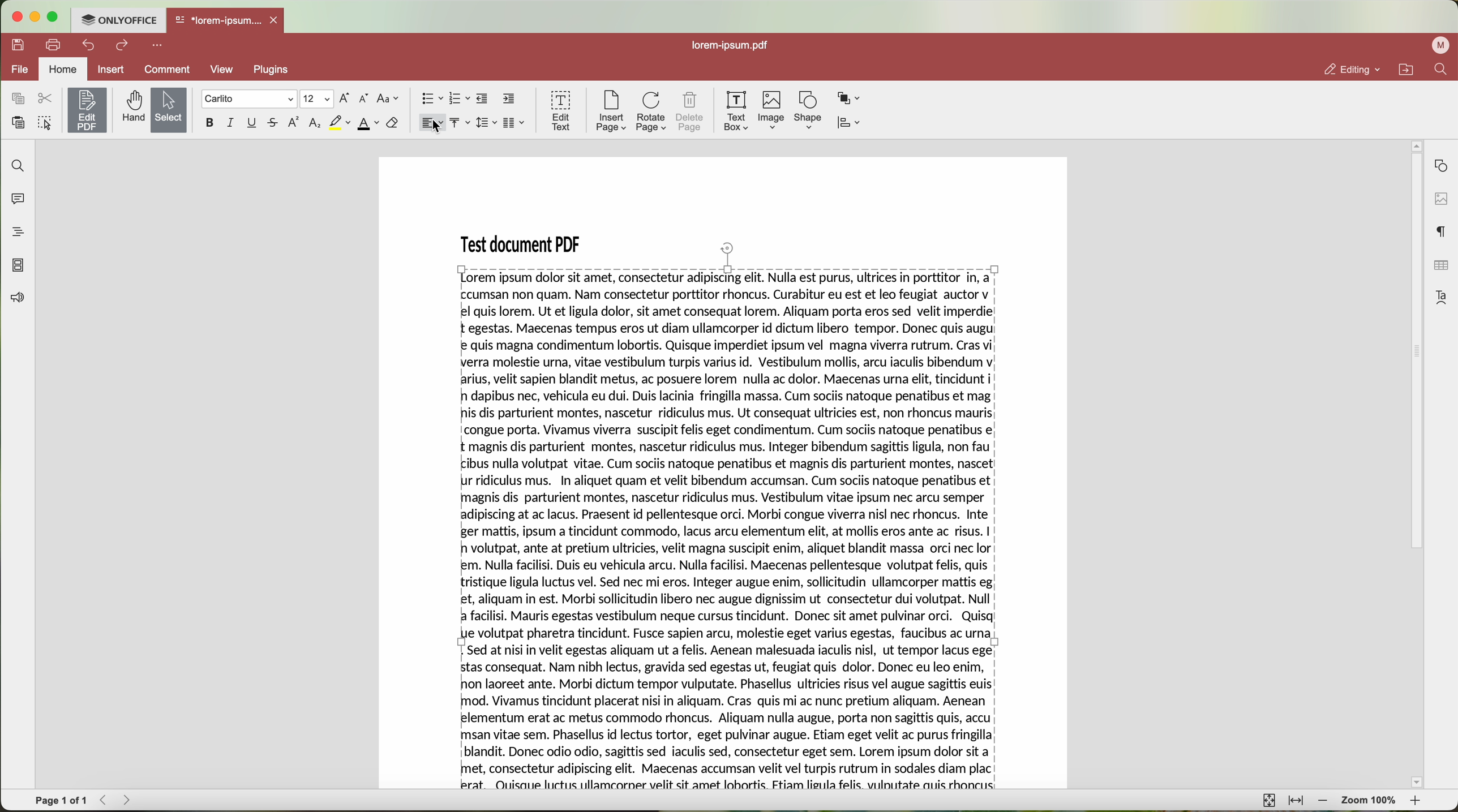  What do you see at coordinates (19, 122) in the screenshot?
I see `paste` at bounding box center [19, 122].